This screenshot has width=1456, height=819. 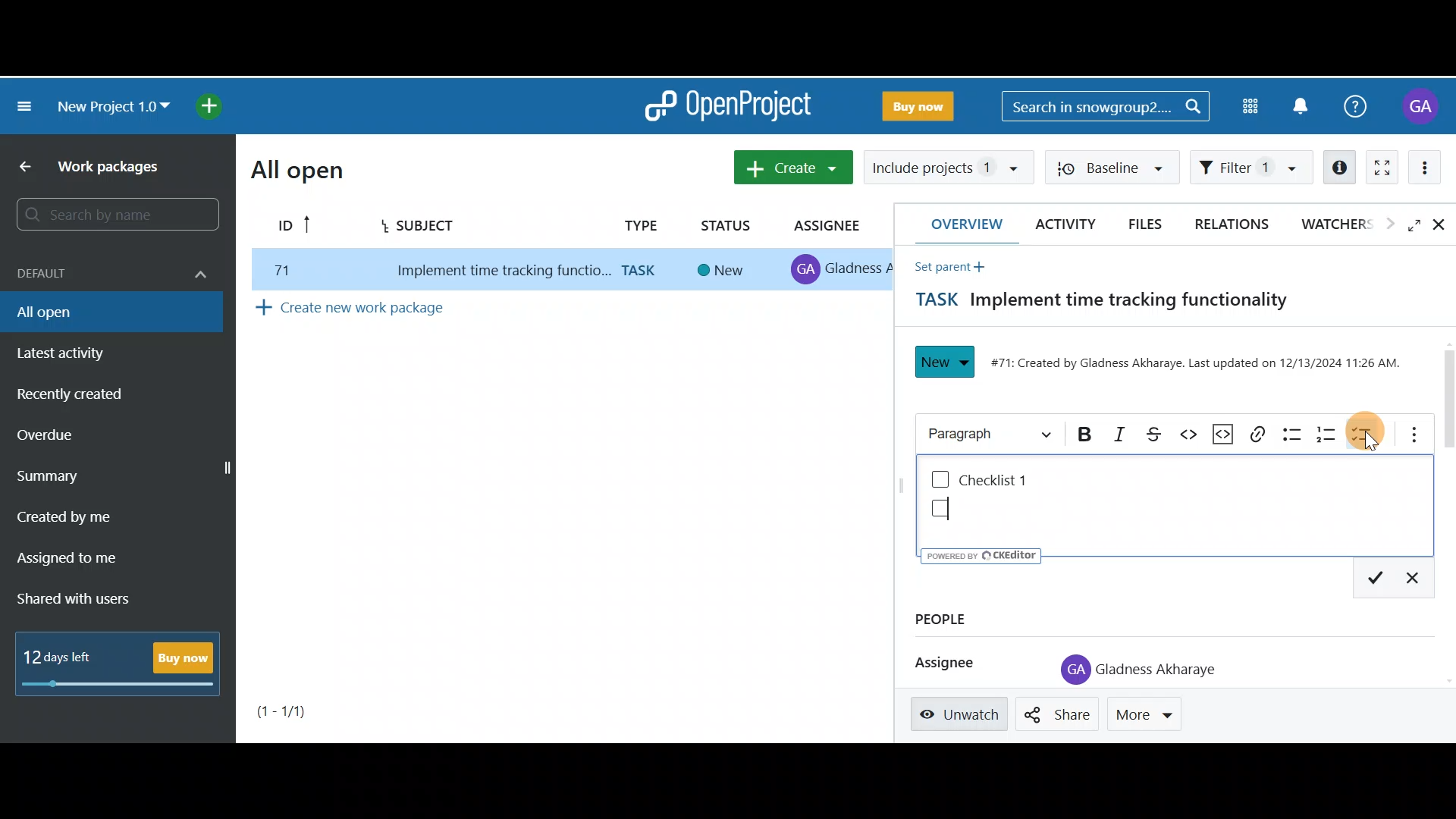 What do you see at coordinates (94, 315) in the screenshot?
I see `All open` at bounding box center [94, 315].